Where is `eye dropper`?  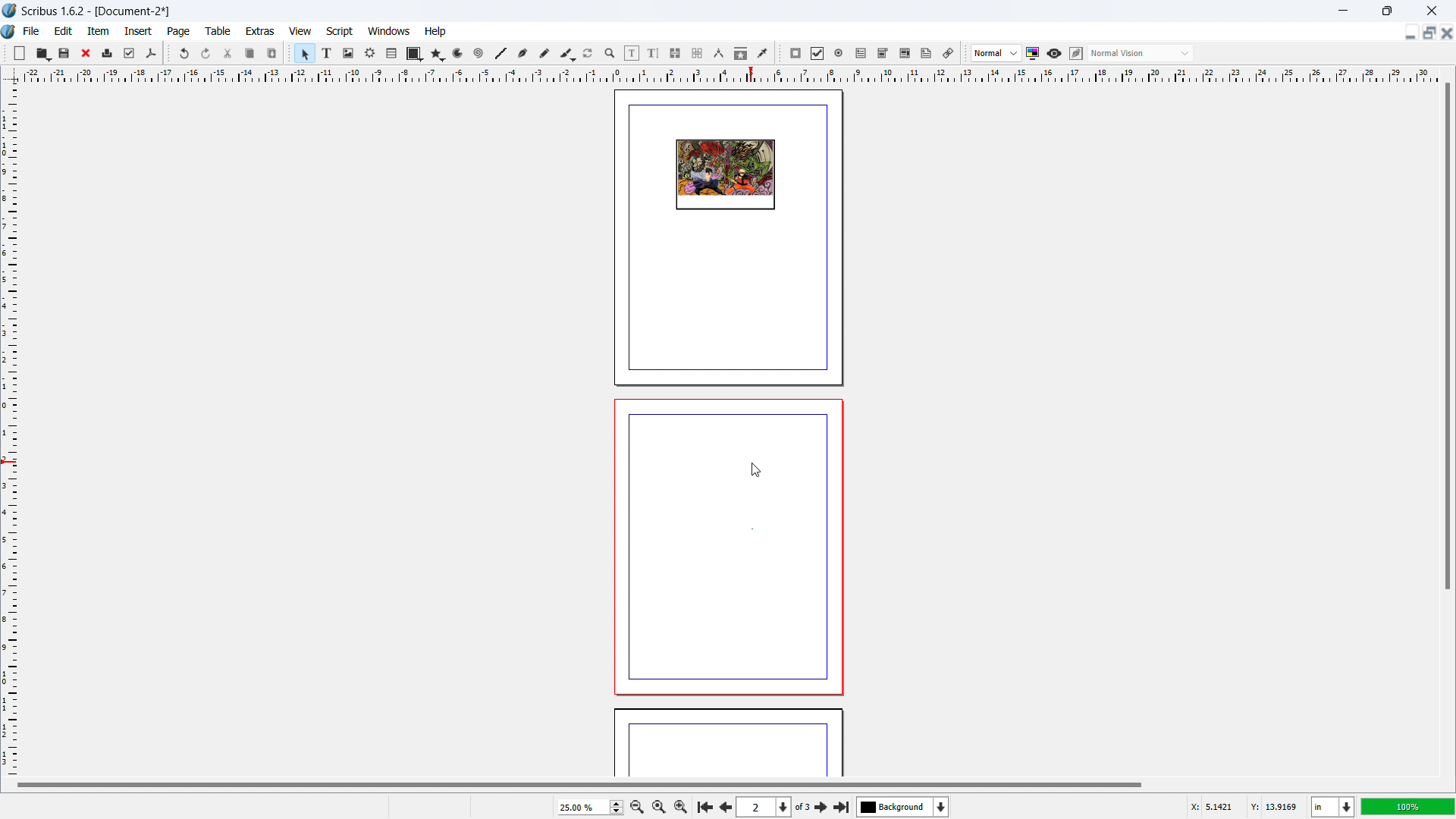 eye dropper is located at coordinates (764, 52).